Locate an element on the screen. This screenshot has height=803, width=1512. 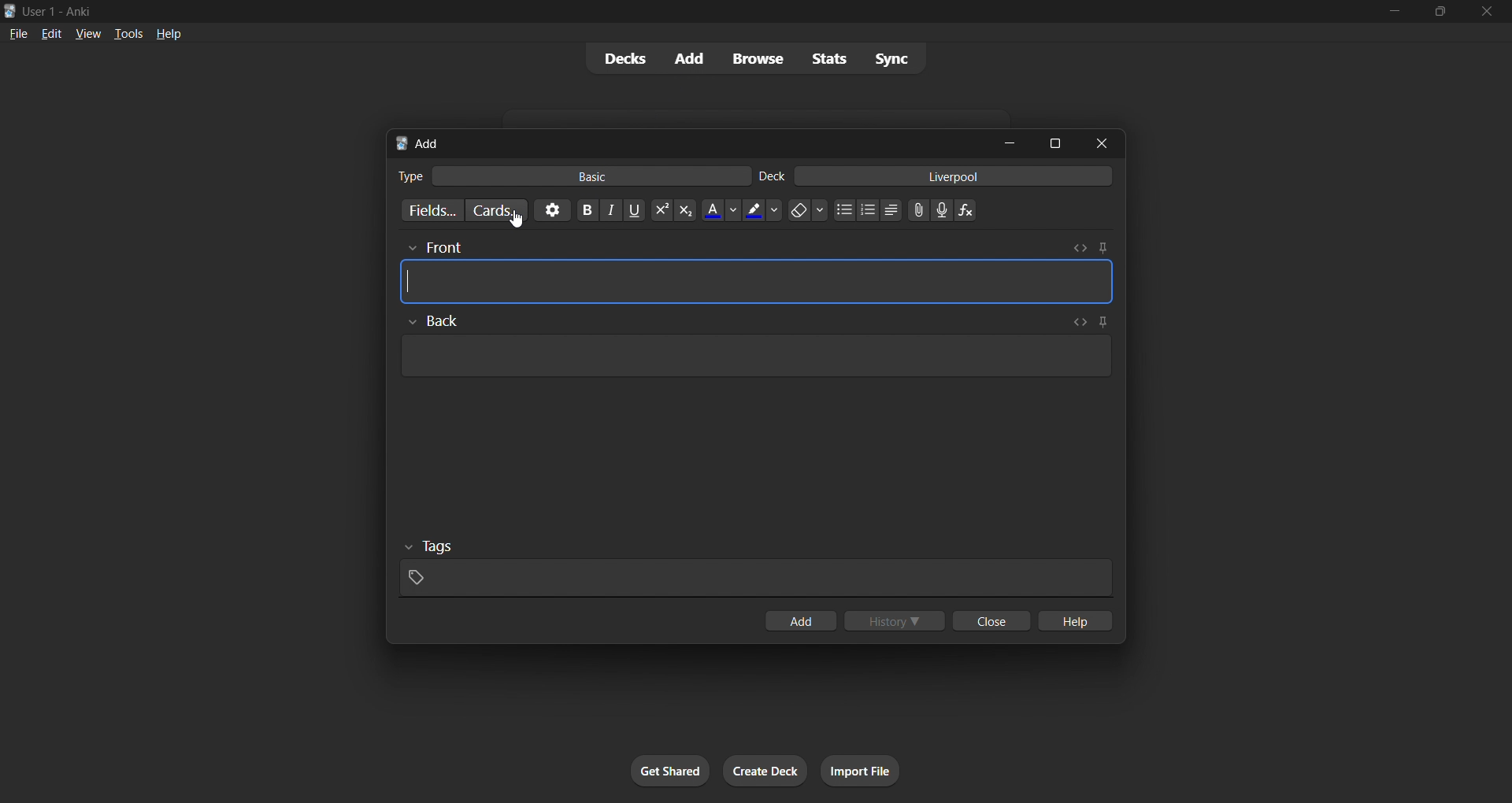
maximize/restore is located at coordinates (1438, 10).